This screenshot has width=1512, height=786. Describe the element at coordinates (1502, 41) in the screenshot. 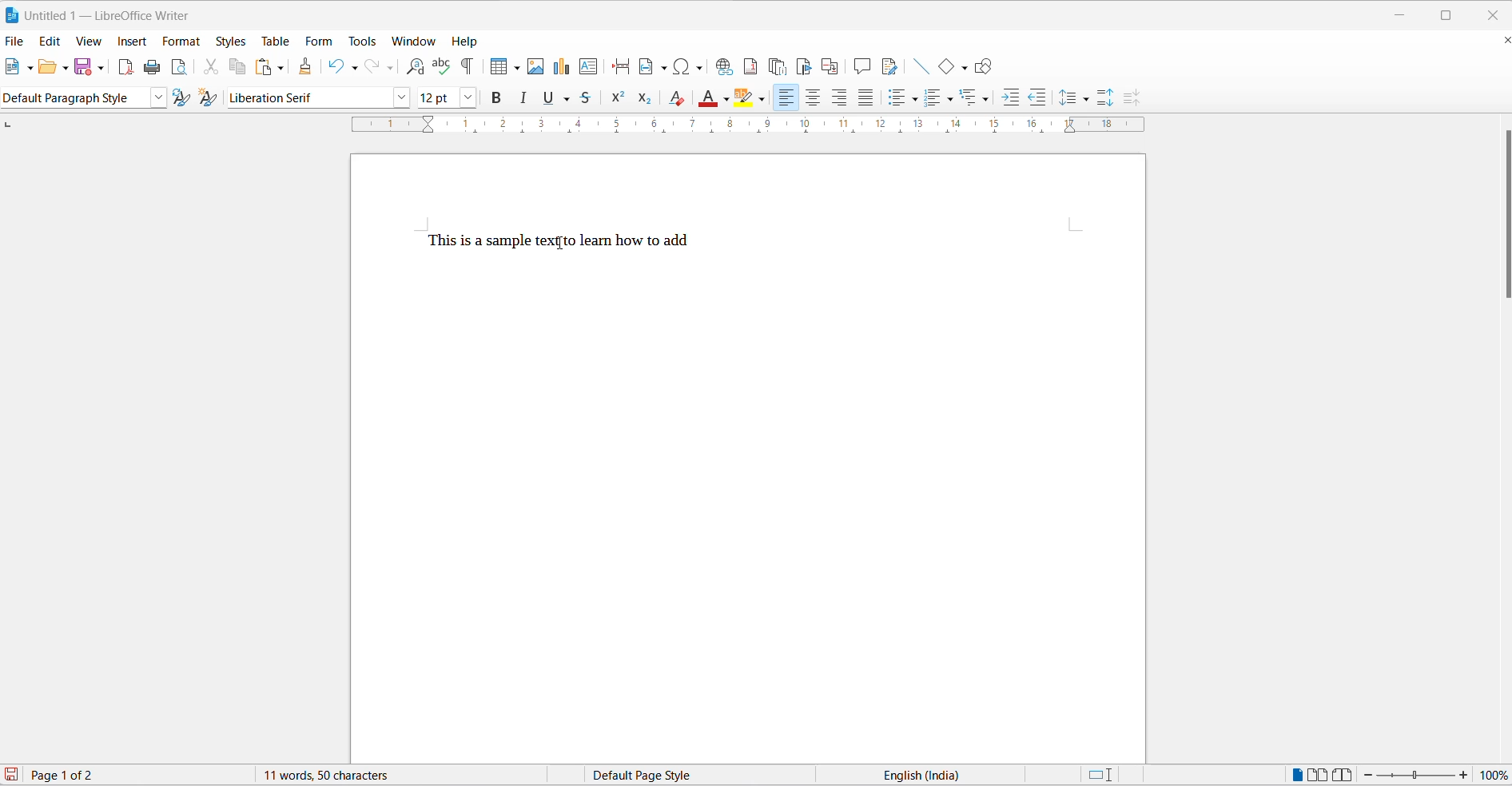

I see `close document` at that location.